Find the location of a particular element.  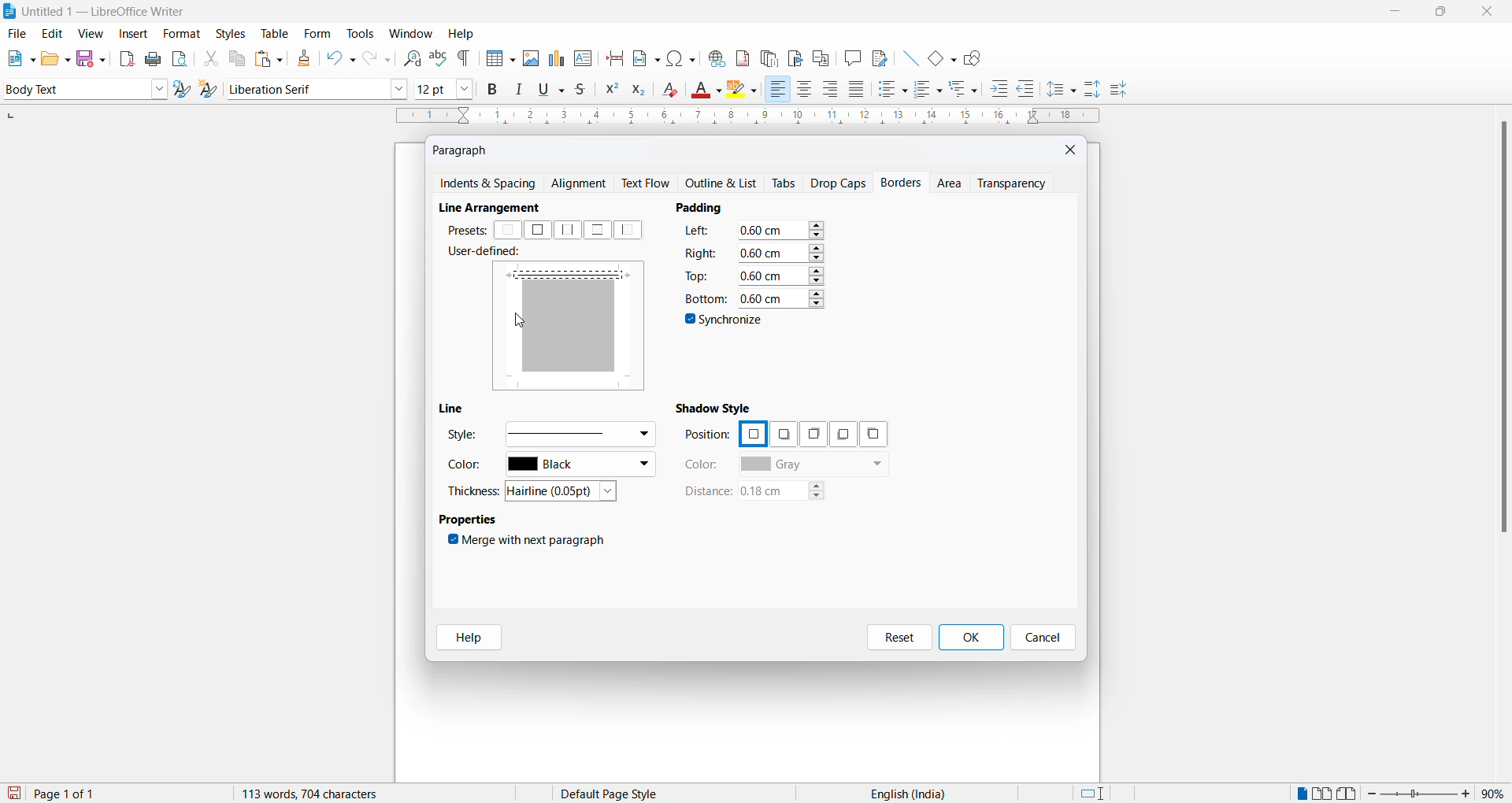

toggle unordered list is located at coordinates (892, 89).